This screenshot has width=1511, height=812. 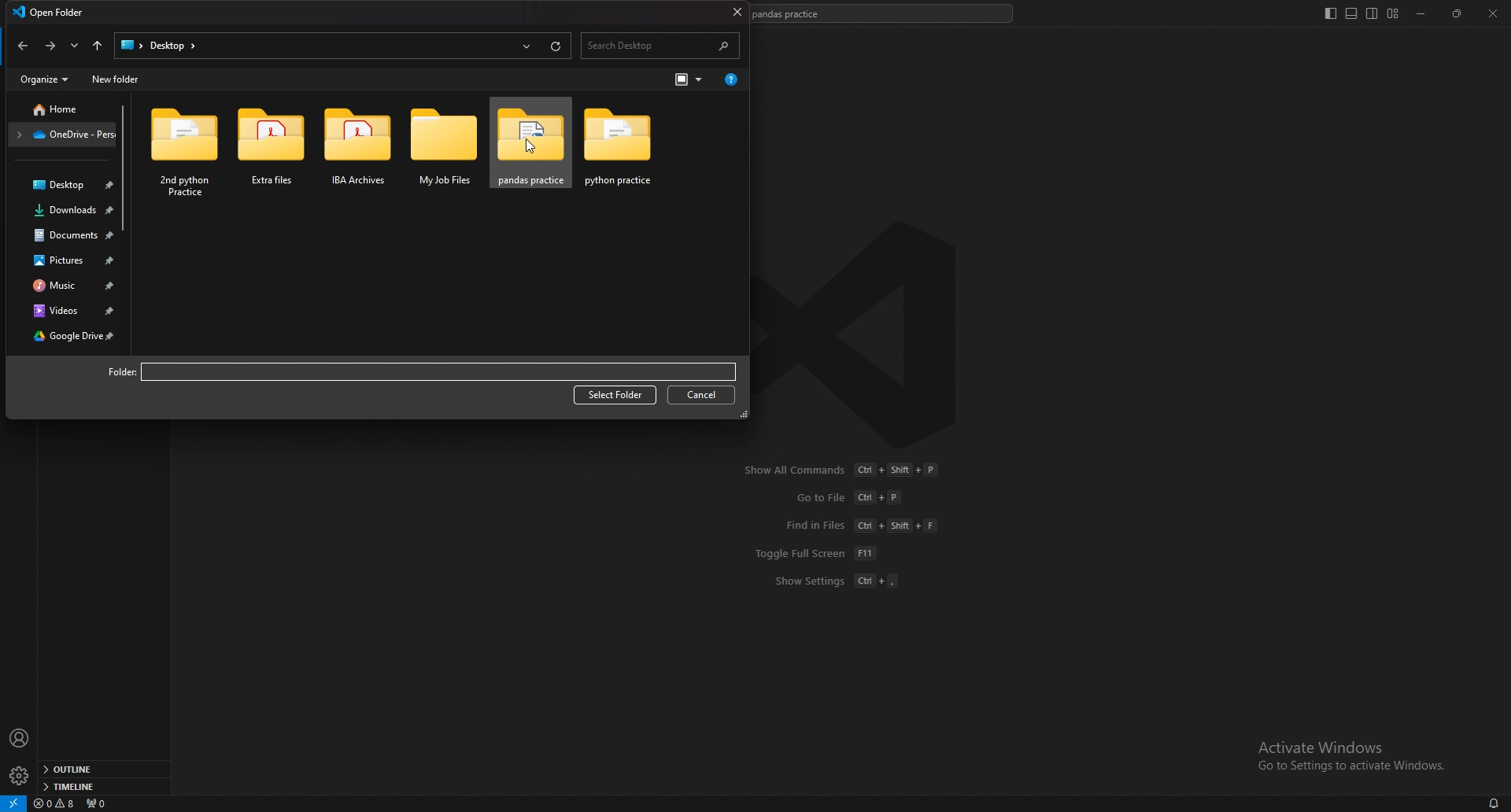 What do you see at coordinates (662, 46) in the screenshot?
I see `search desktop` at bounding box center [662, 46].